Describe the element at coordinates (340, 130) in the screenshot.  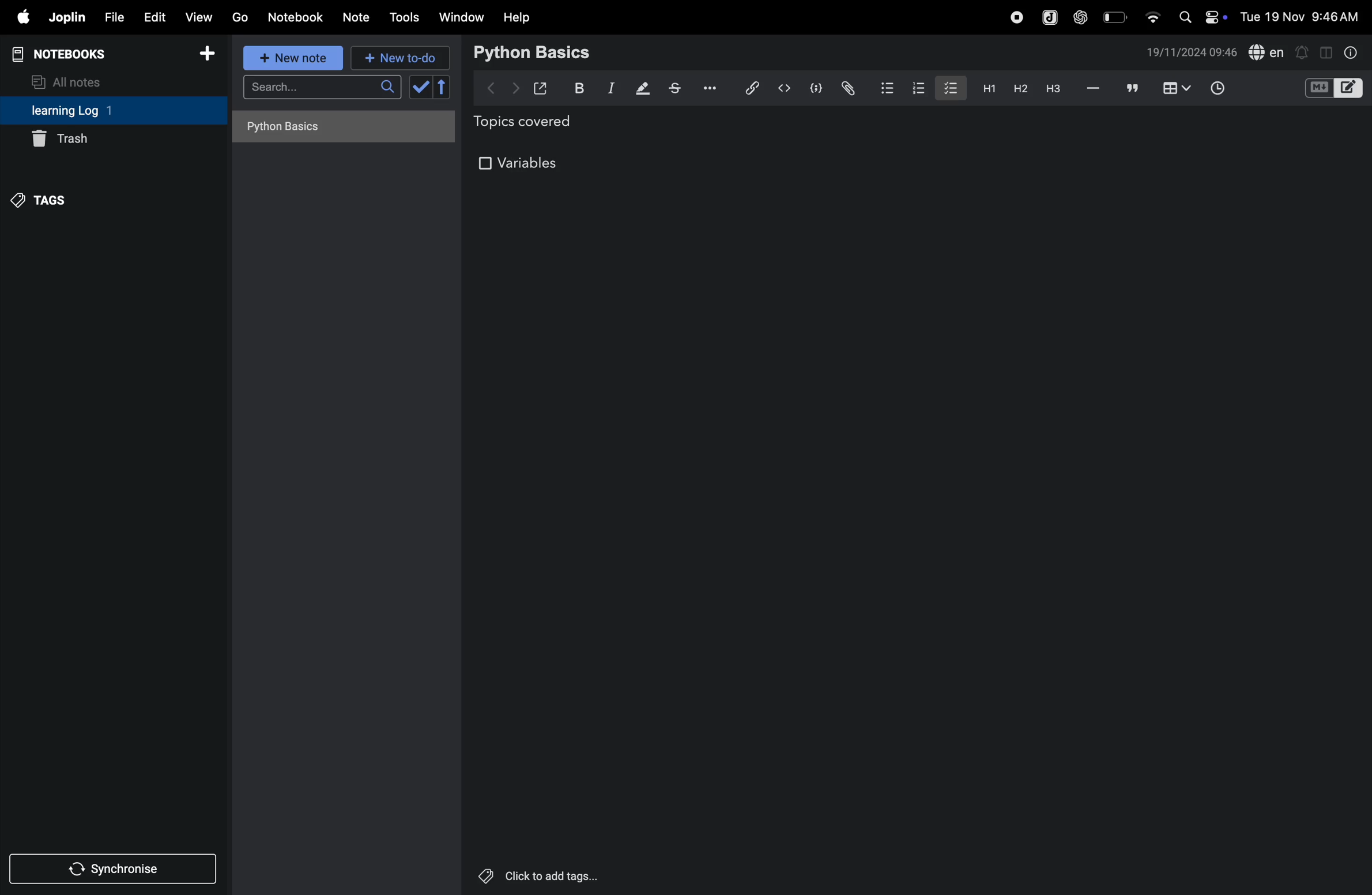
I see `no notes here` at that location.